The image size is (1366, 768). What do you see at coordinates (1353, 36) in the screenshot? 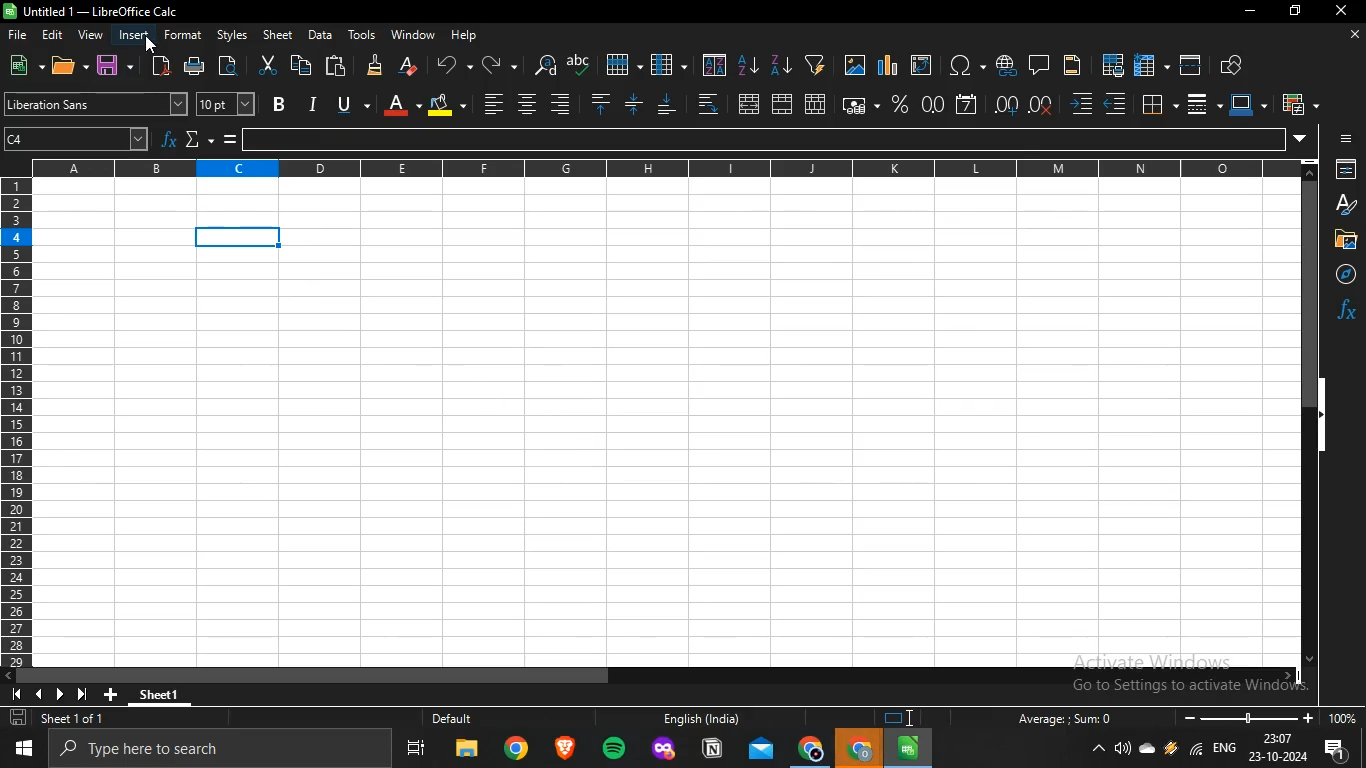
I see `close` at bounding box center [1353, 36].